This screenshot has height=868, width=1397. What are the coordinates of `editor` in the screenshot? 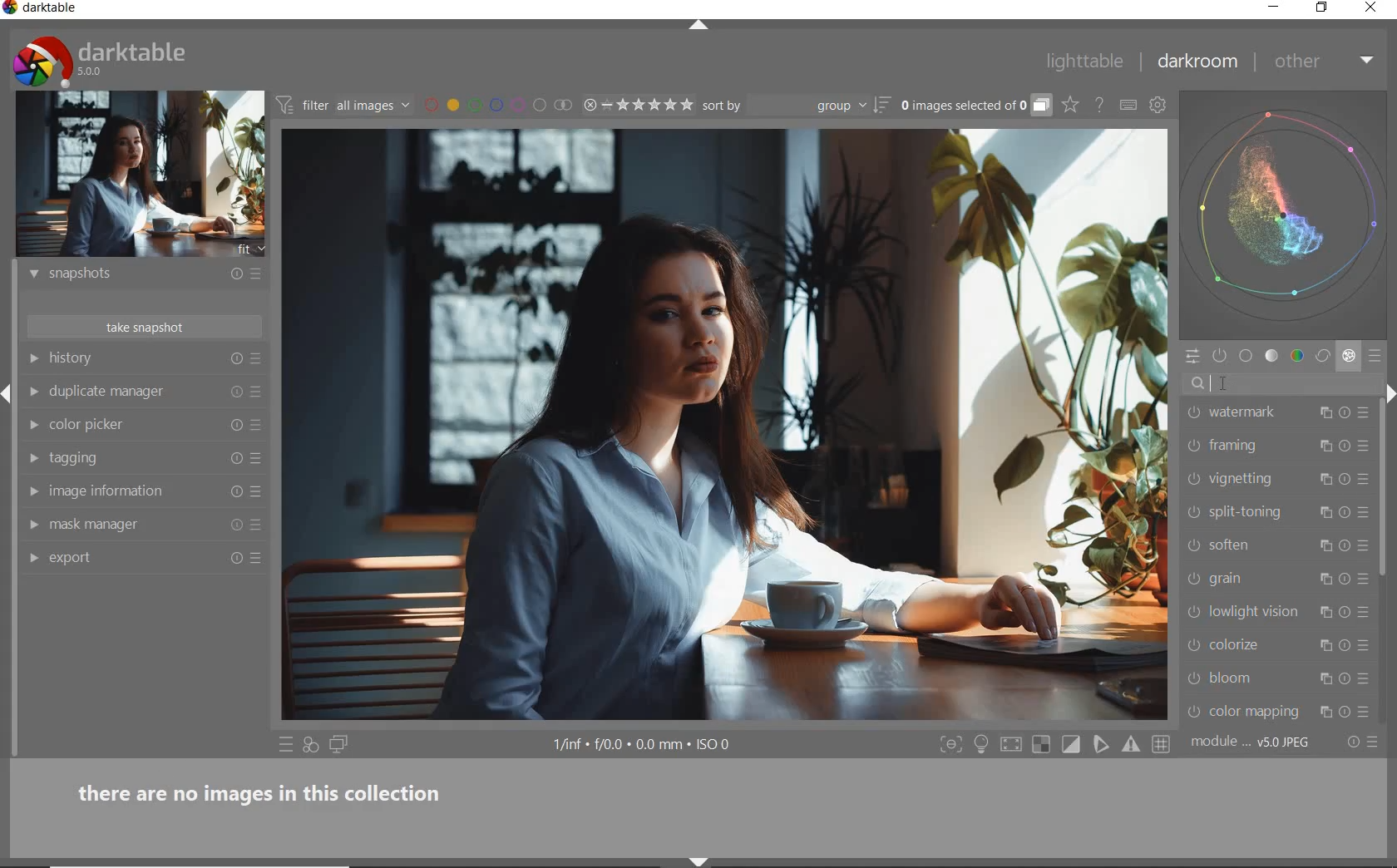 It's located at (1212, 384).